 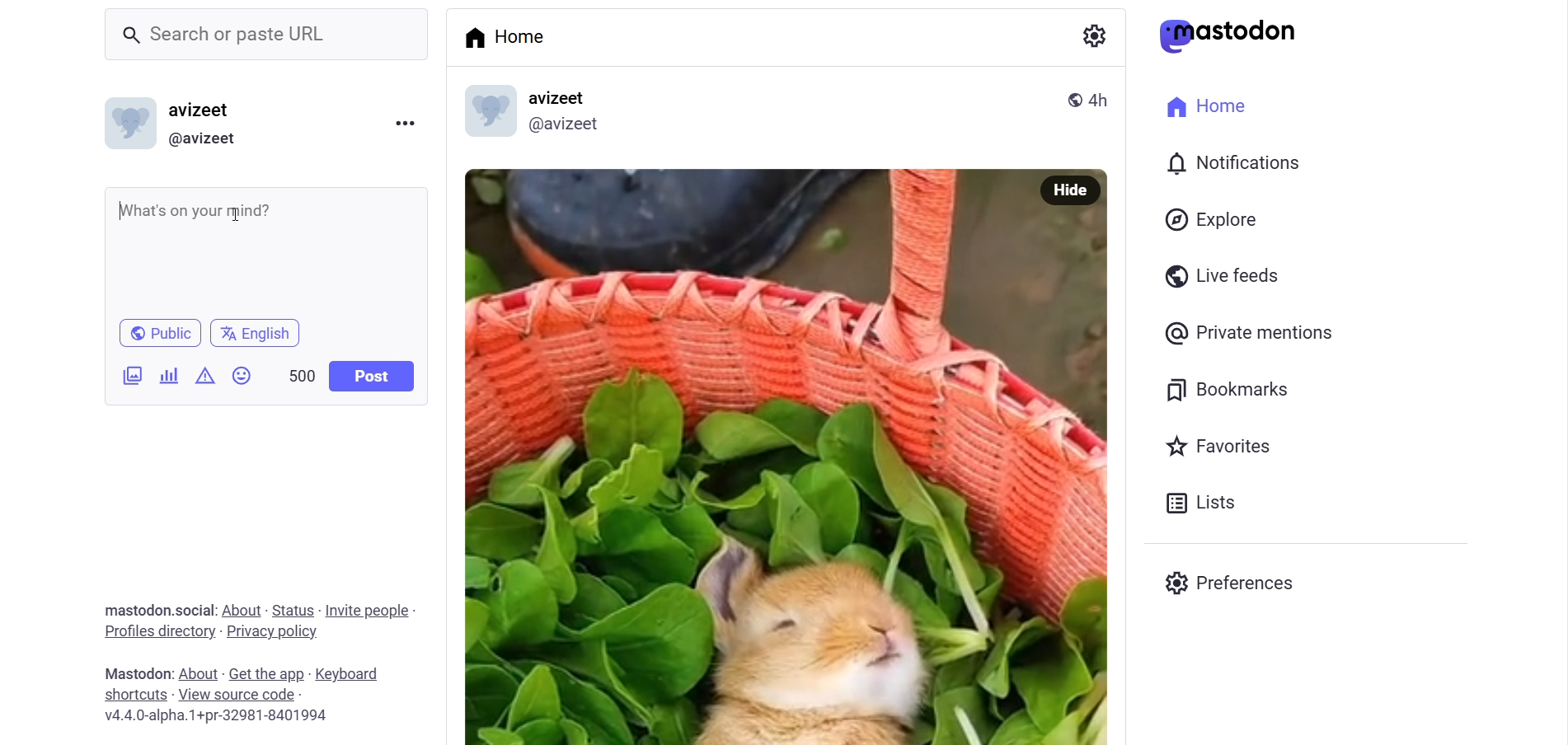 What do you see at coordinates (1223, 447) in the screenshot?
I see `Favorites` at bounding box center [1223, 447].